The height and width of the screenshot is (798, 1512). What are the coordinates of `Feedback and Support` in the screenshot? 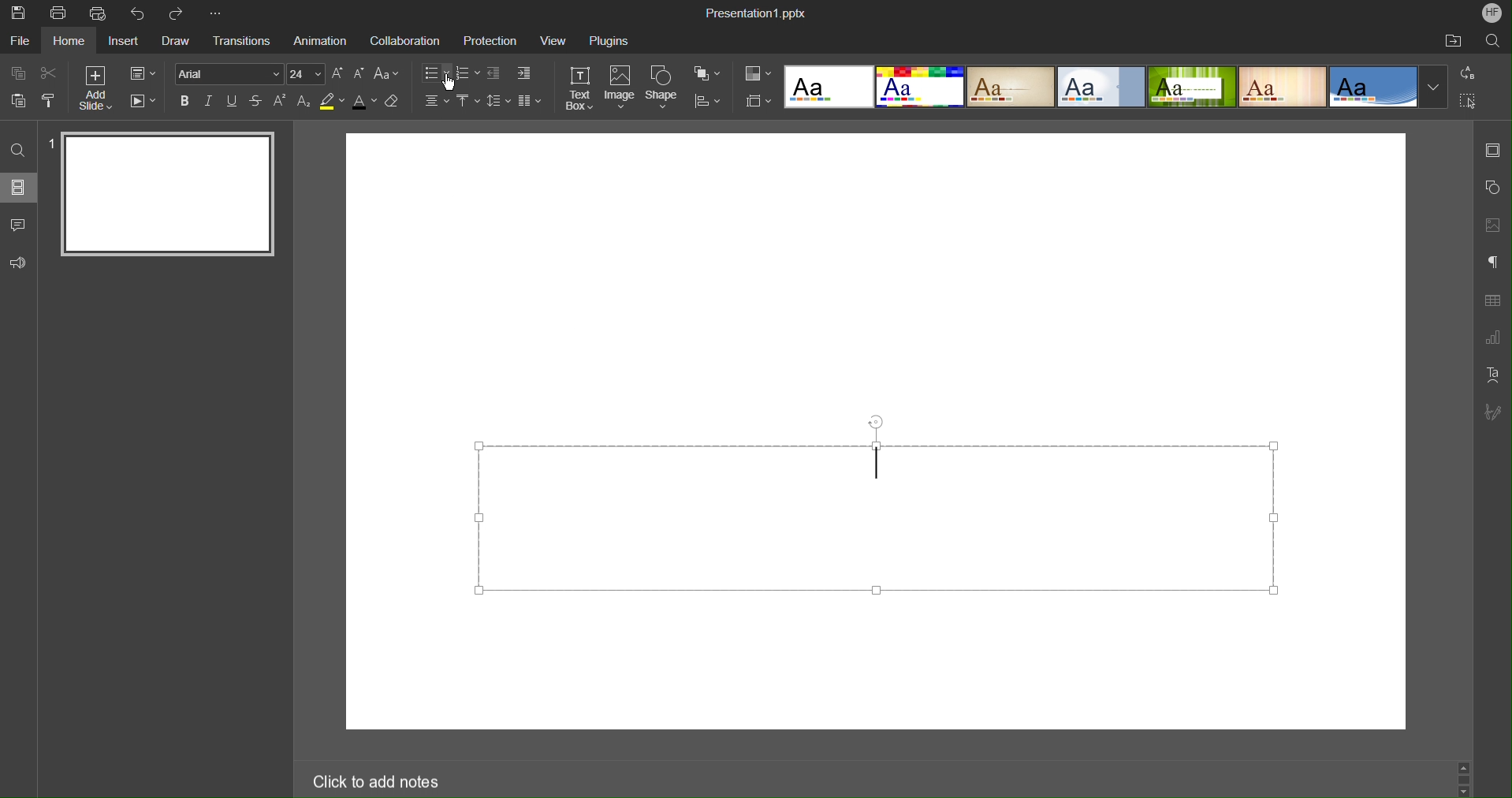 It's located at (17, 264).